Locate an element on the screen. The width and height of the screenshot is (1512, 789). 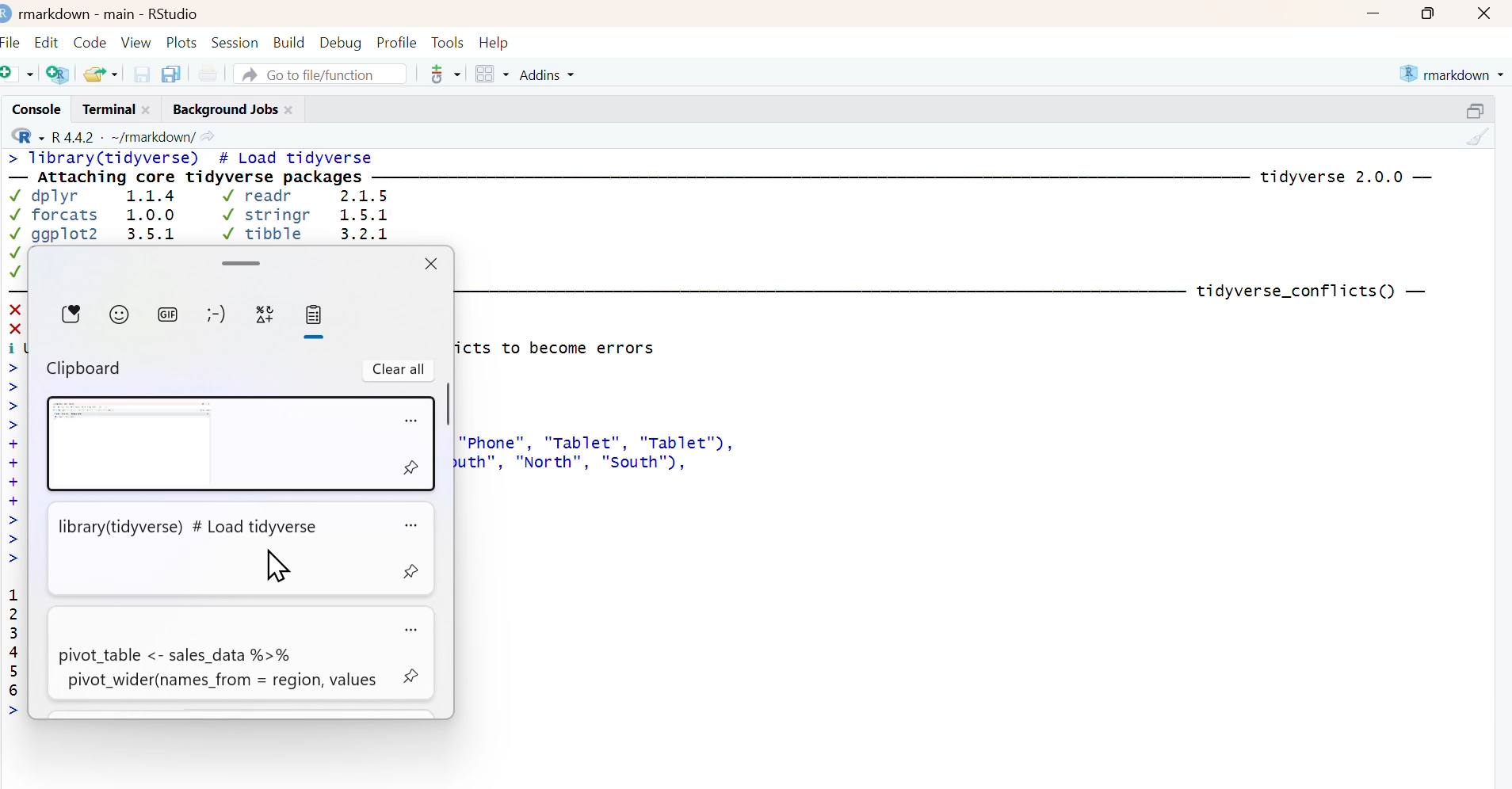
Go to file/function is located at coordinates (322, 73).